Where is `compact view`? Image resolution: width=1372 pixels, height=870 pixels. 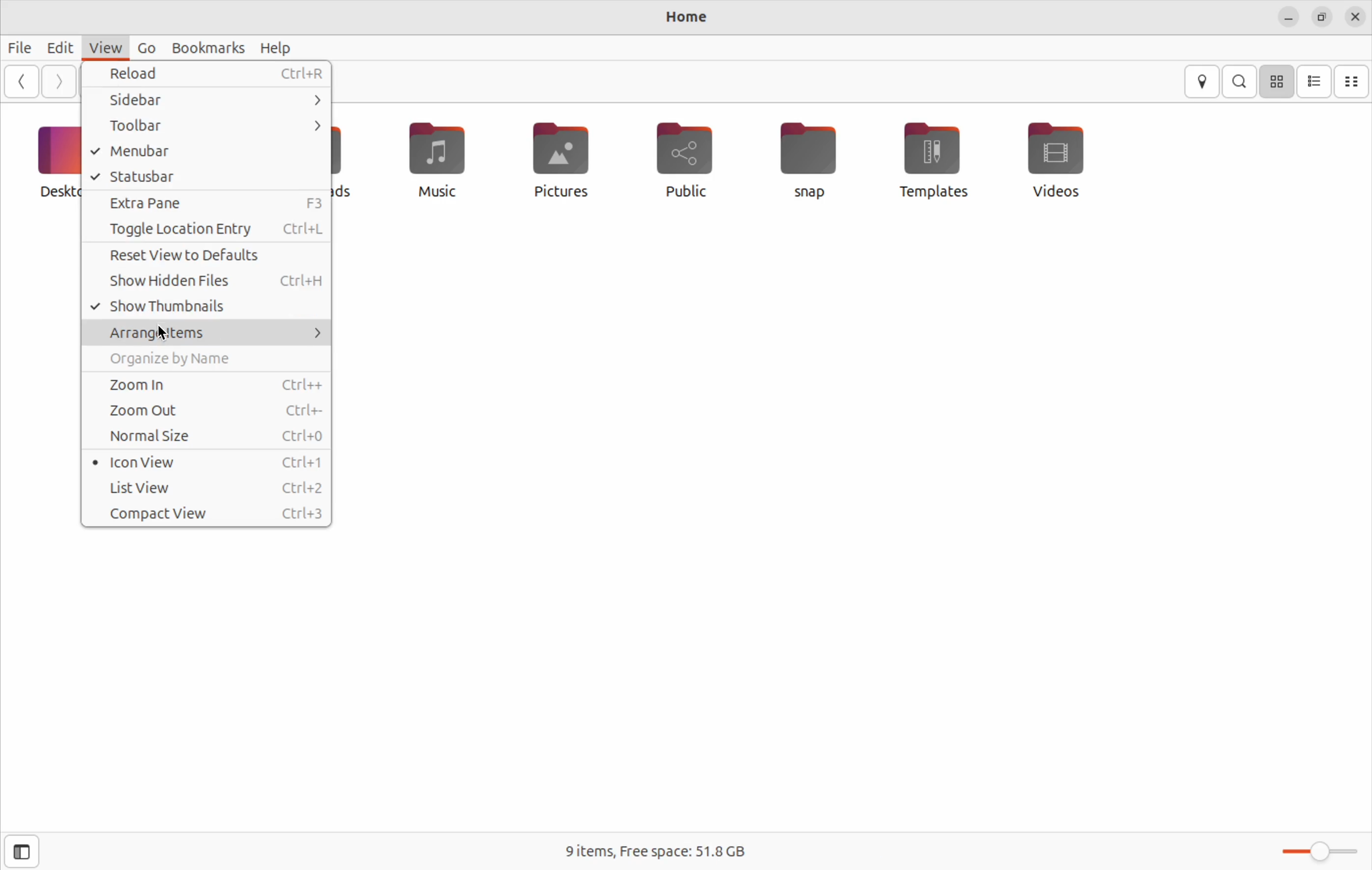 compact view is located at coordinates (208, 513).